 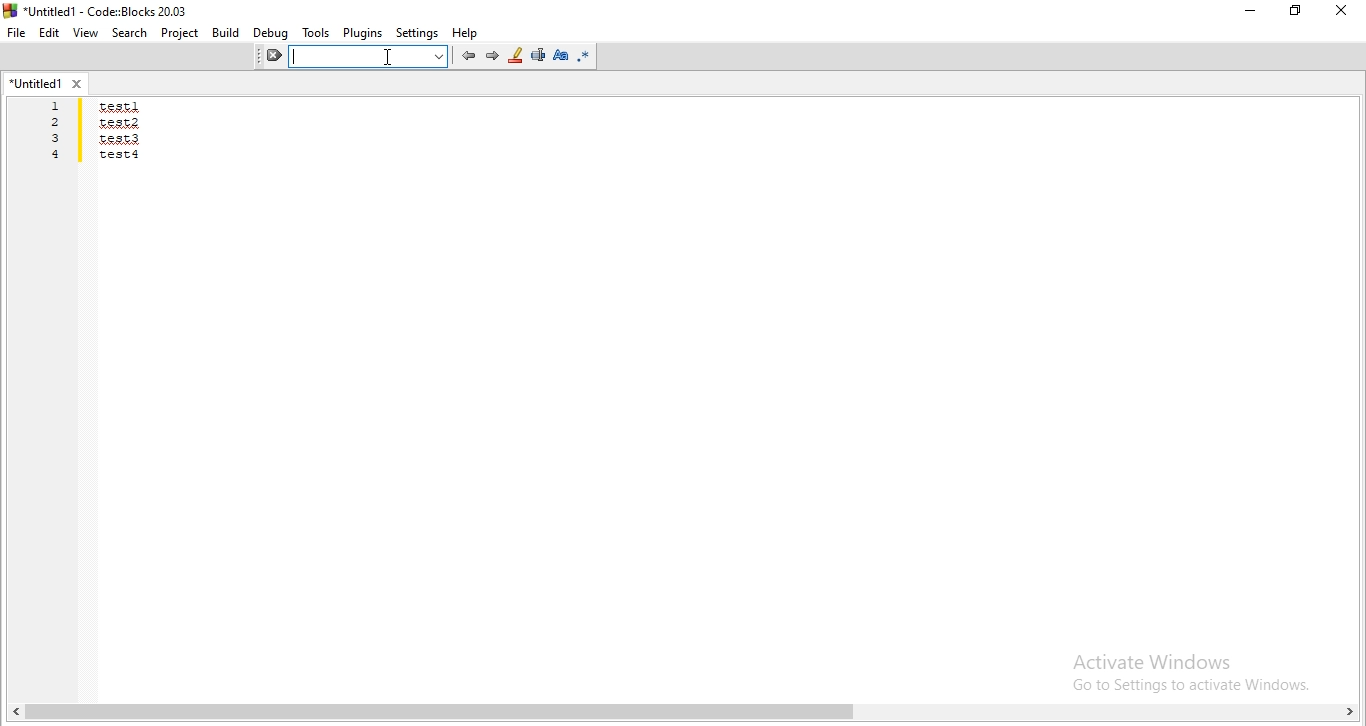 I want to click on cursor, so click(x=389, y=61).